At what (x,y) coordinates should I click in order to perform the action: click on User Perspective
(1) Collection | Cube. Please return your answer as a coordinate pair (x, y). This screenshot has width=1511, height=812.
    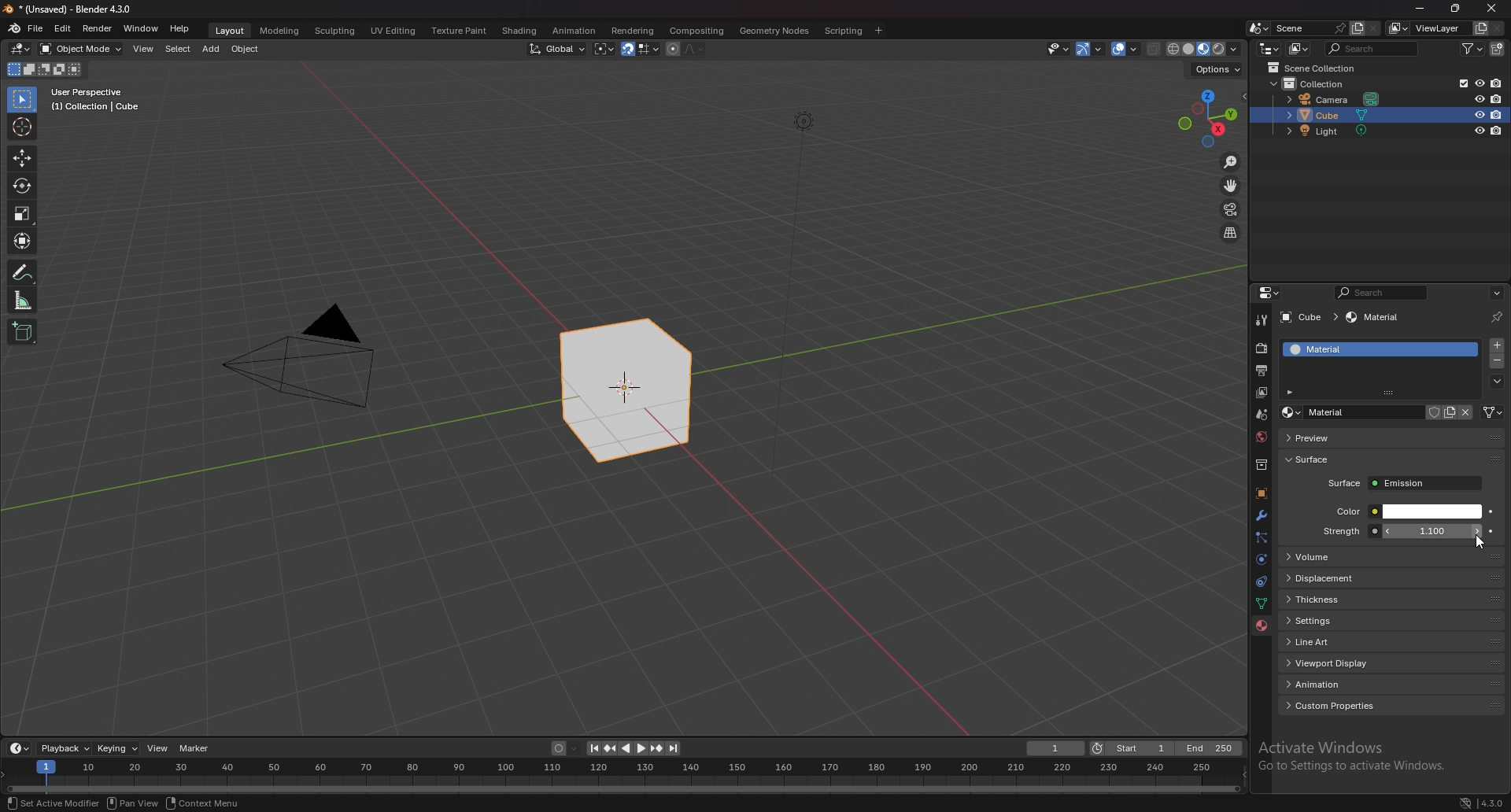
    Looking at the image, I should click on (100, 101).